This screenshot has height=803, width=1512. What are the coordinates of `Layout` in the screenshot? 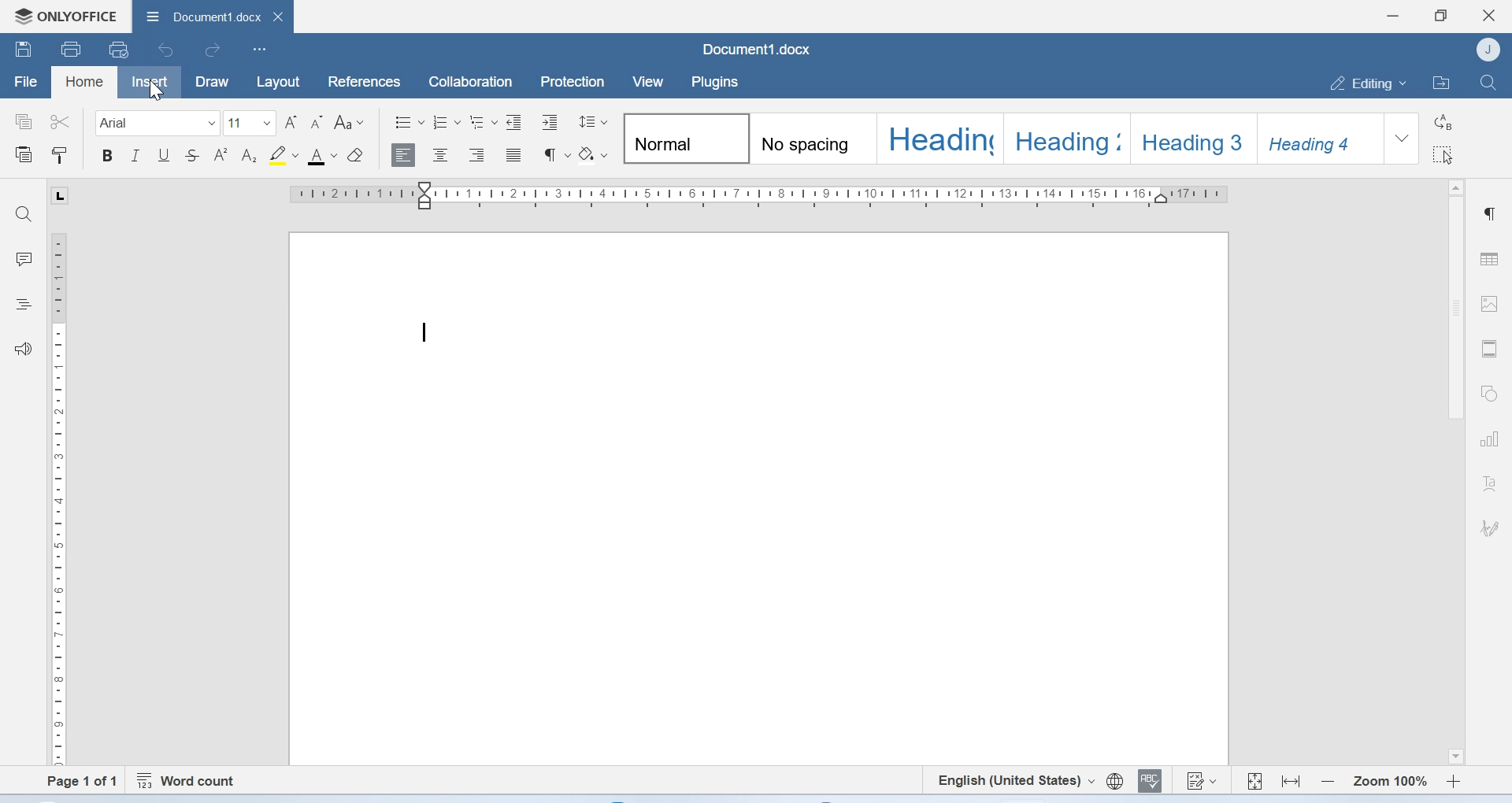 It's located at (279, 82).